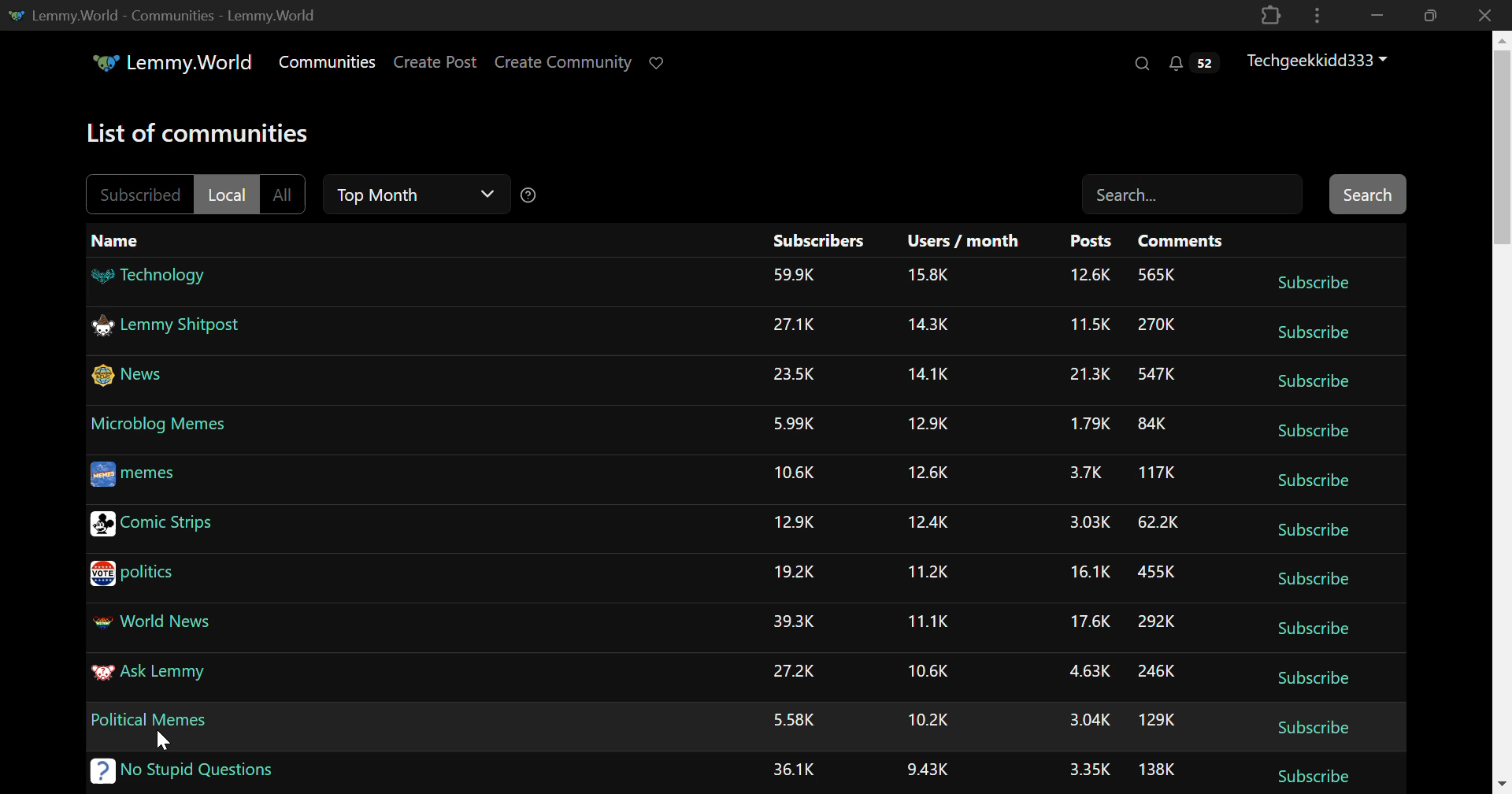 This screenshot has width=1512, height=794. What do you see at coordinates (929, 425) in the screenshot?
I see `Amount` at bounding box center [929, 425].